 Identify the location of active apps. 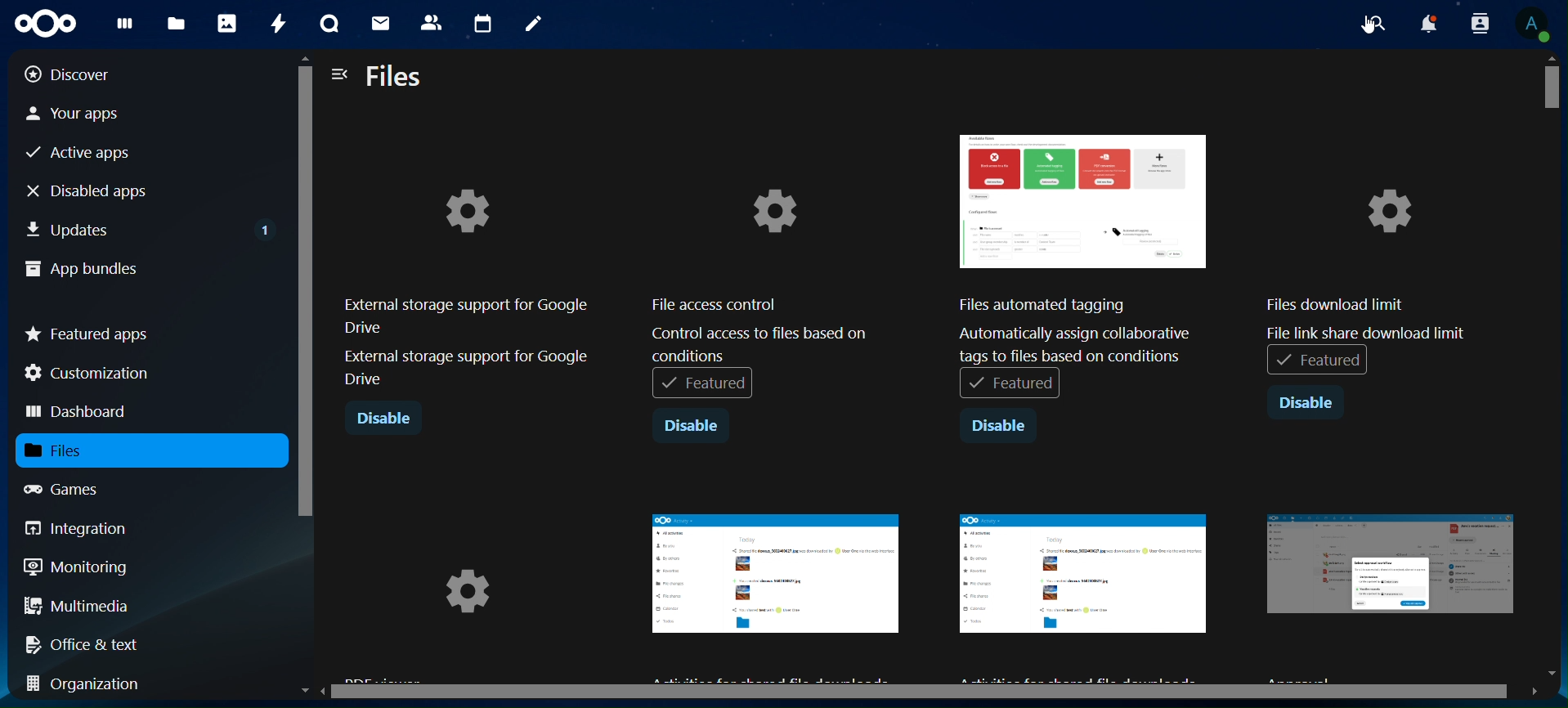
(85, 154).